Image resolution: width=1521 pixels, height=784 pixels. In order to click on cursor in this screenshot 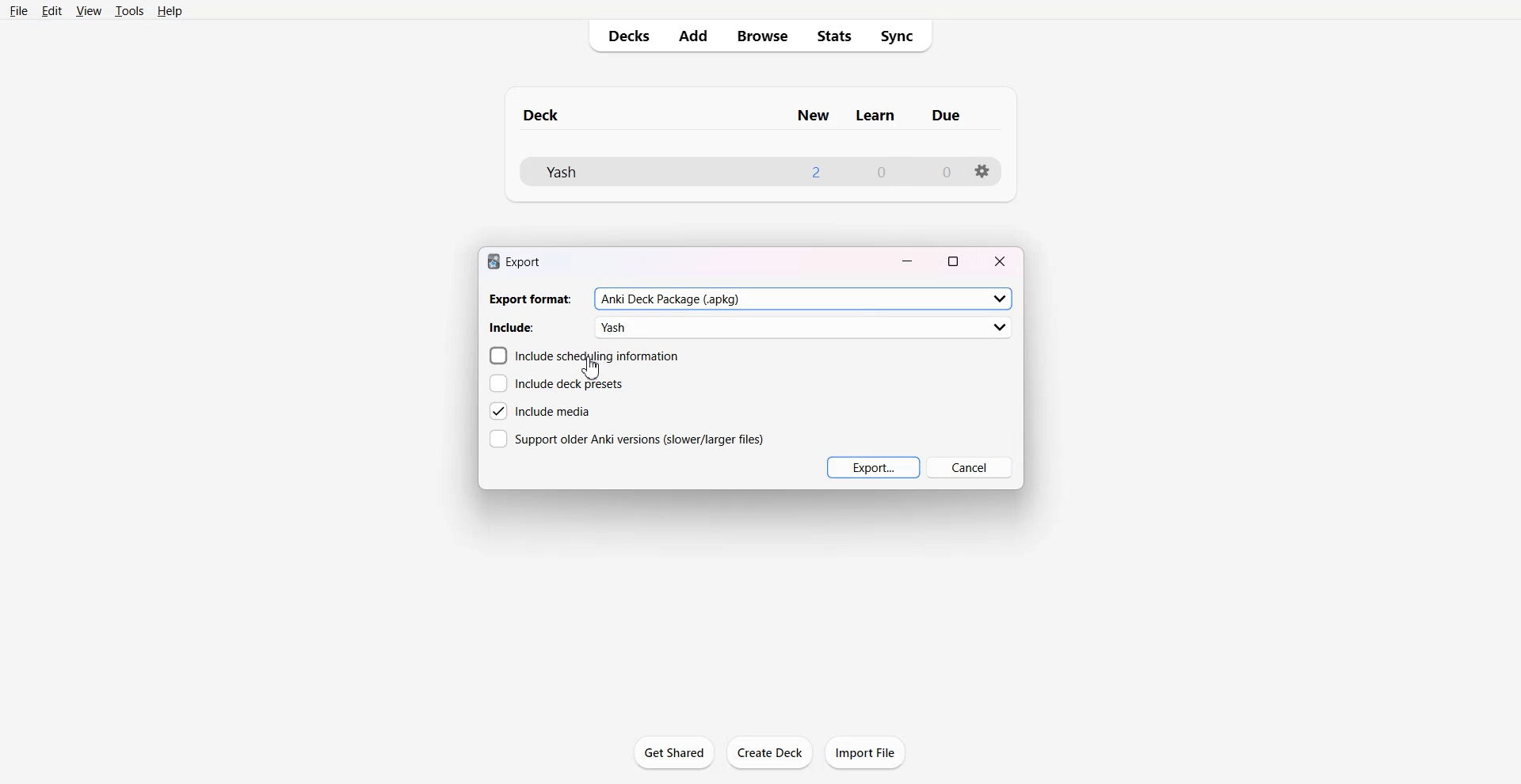, I will do `click(591, 369)`.